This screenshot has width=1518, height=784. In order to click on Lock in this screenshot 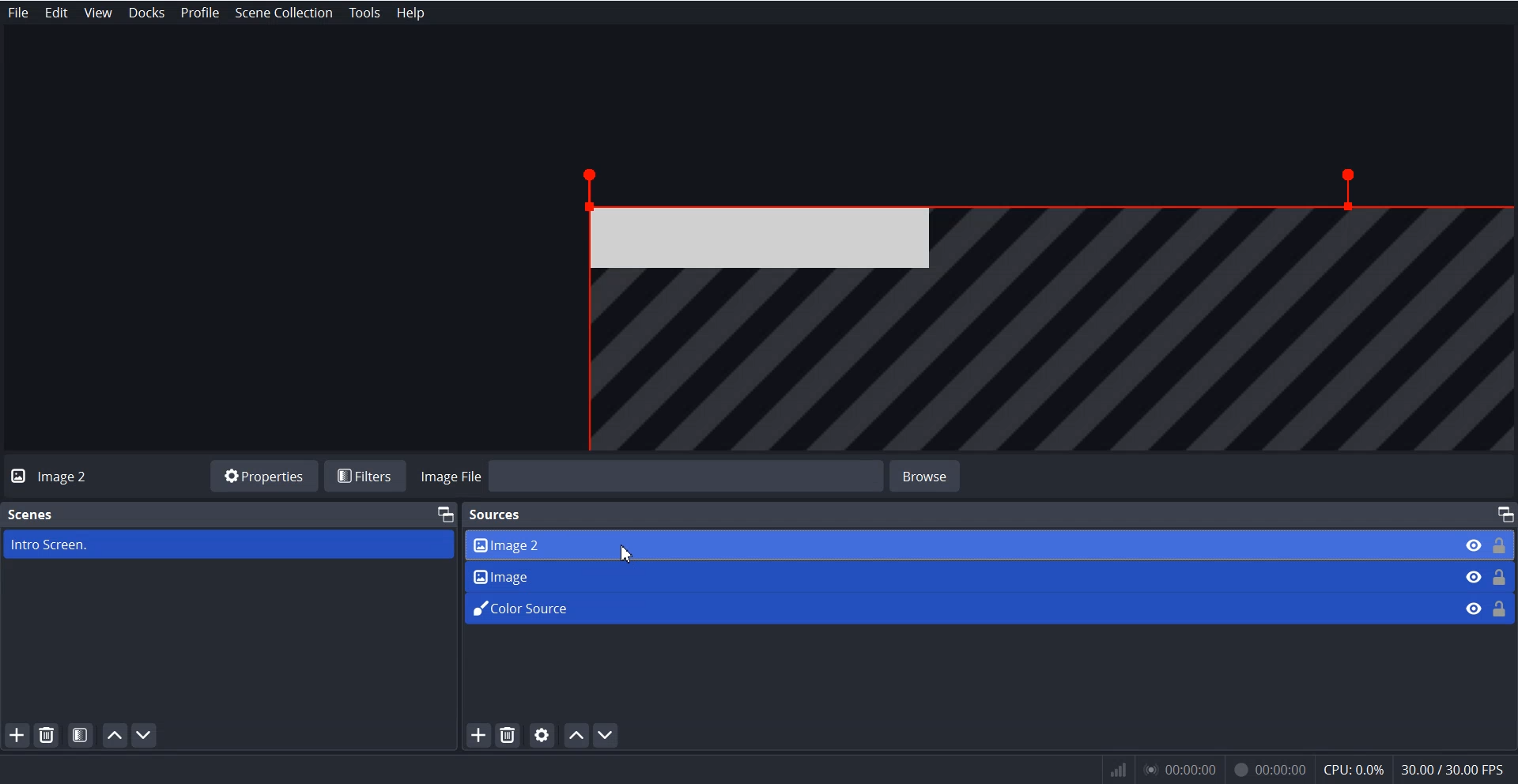, I will do `click(1501, 575)`.